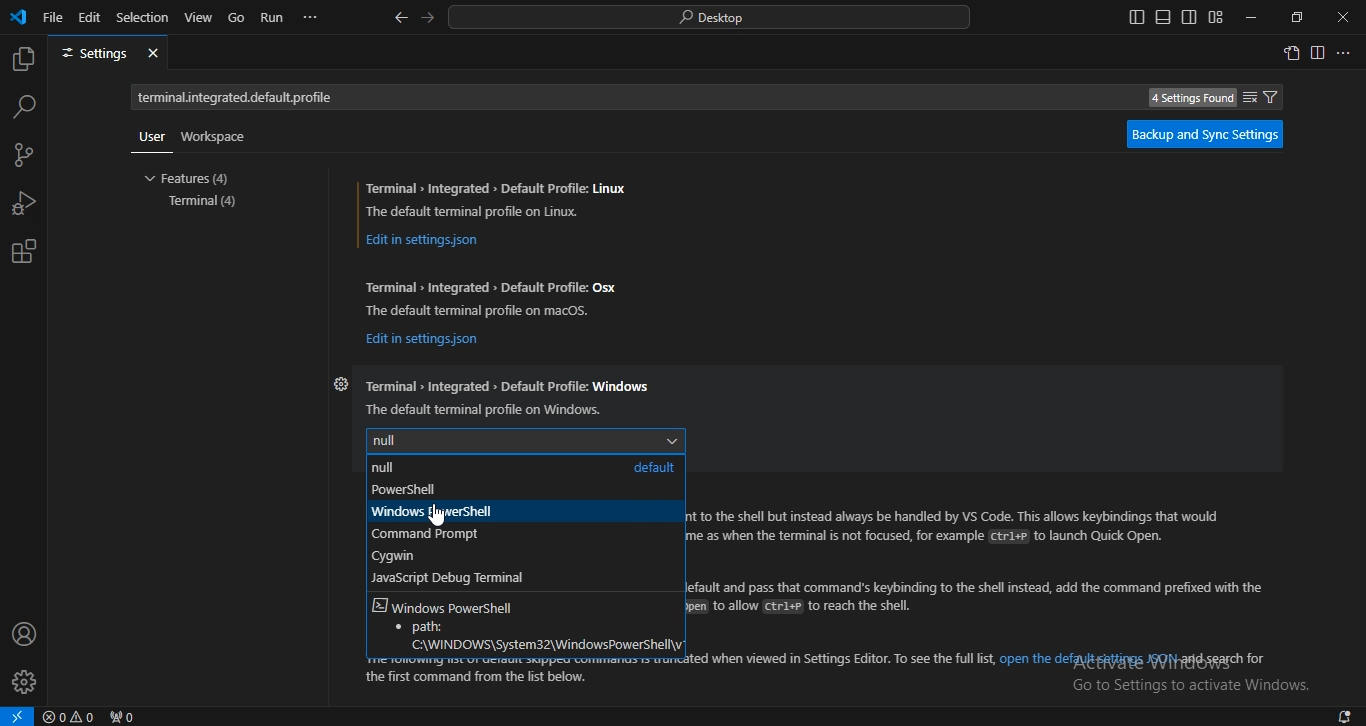  What do you see at coordinates (402, 467) in the screenshot?
I see `null` at bounding box center [402, 467].